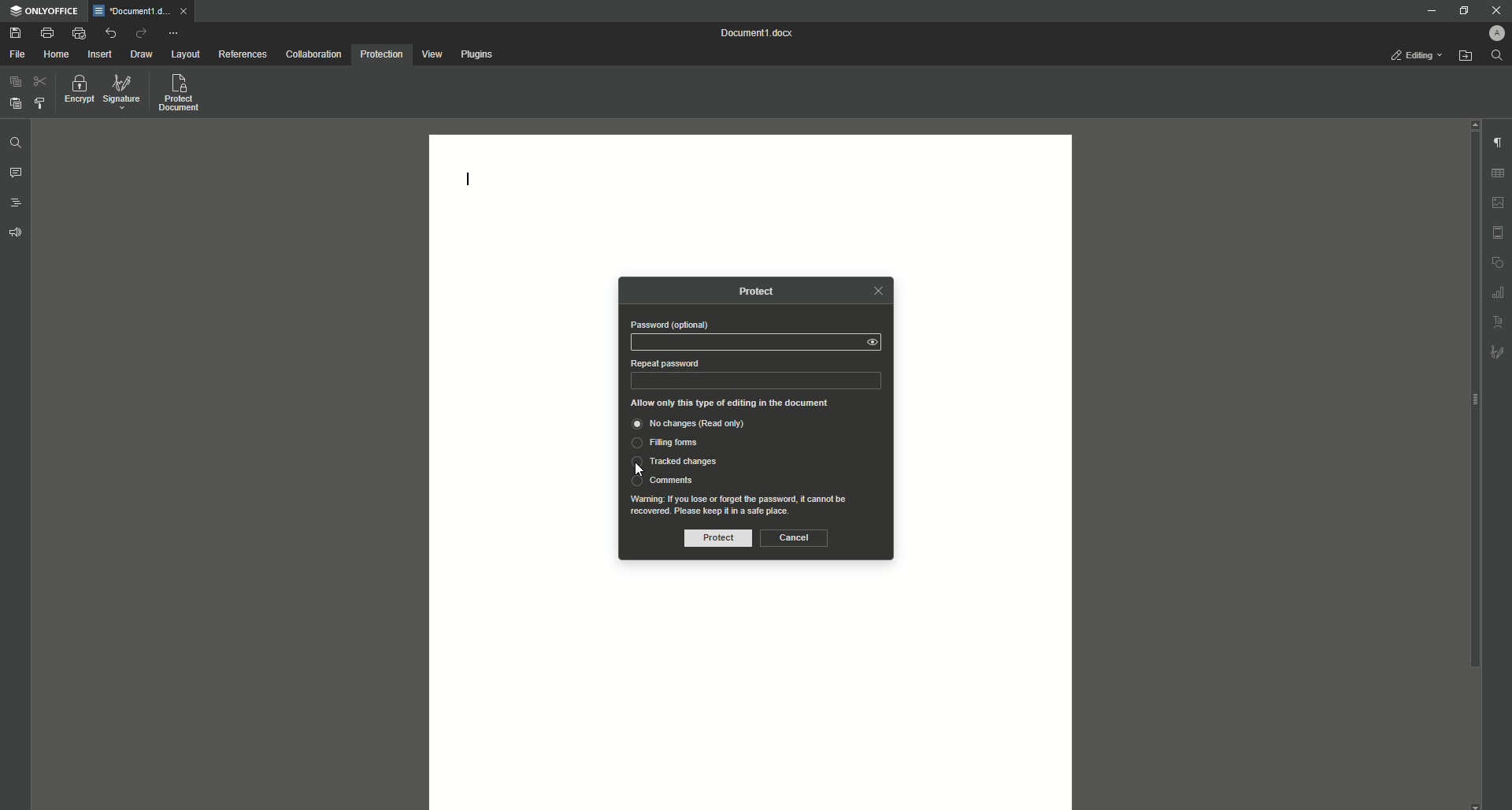  Describe the element at coordinates (122, 92) in the screenshot. I see `Signature` at that location.